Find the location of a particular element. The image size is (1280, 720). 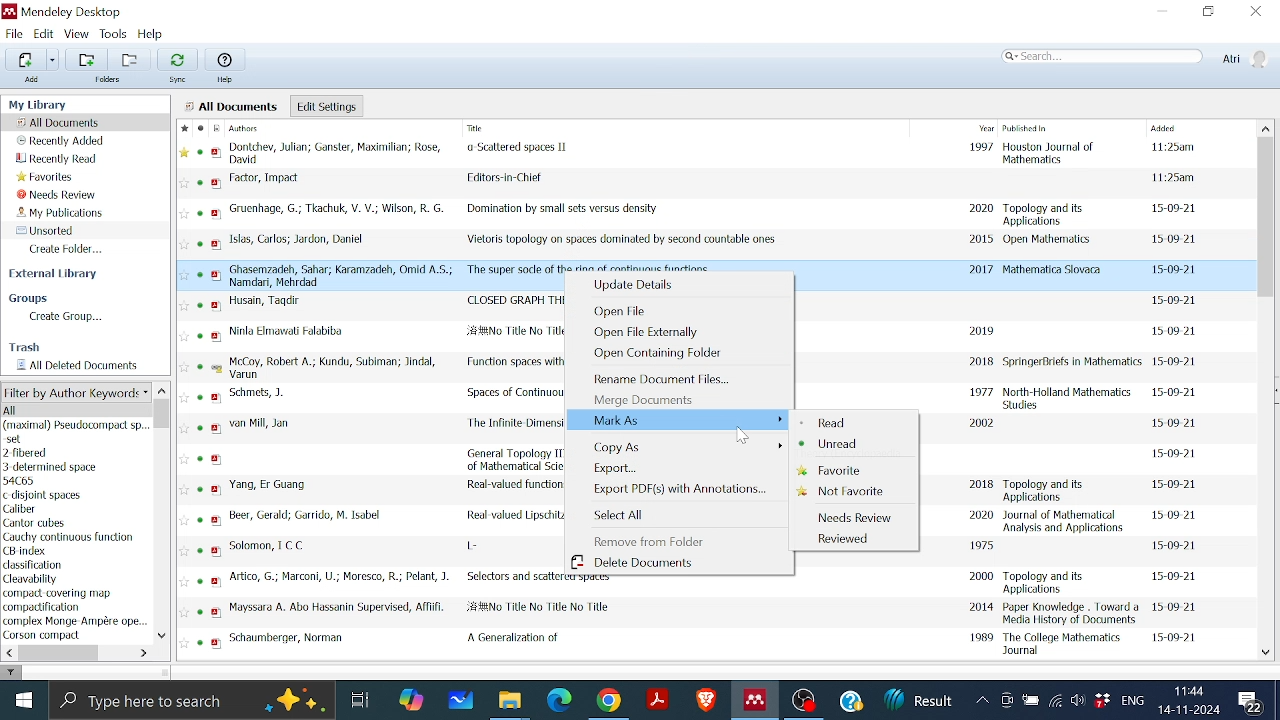

Brave browser is located at coordinates (706, 700).